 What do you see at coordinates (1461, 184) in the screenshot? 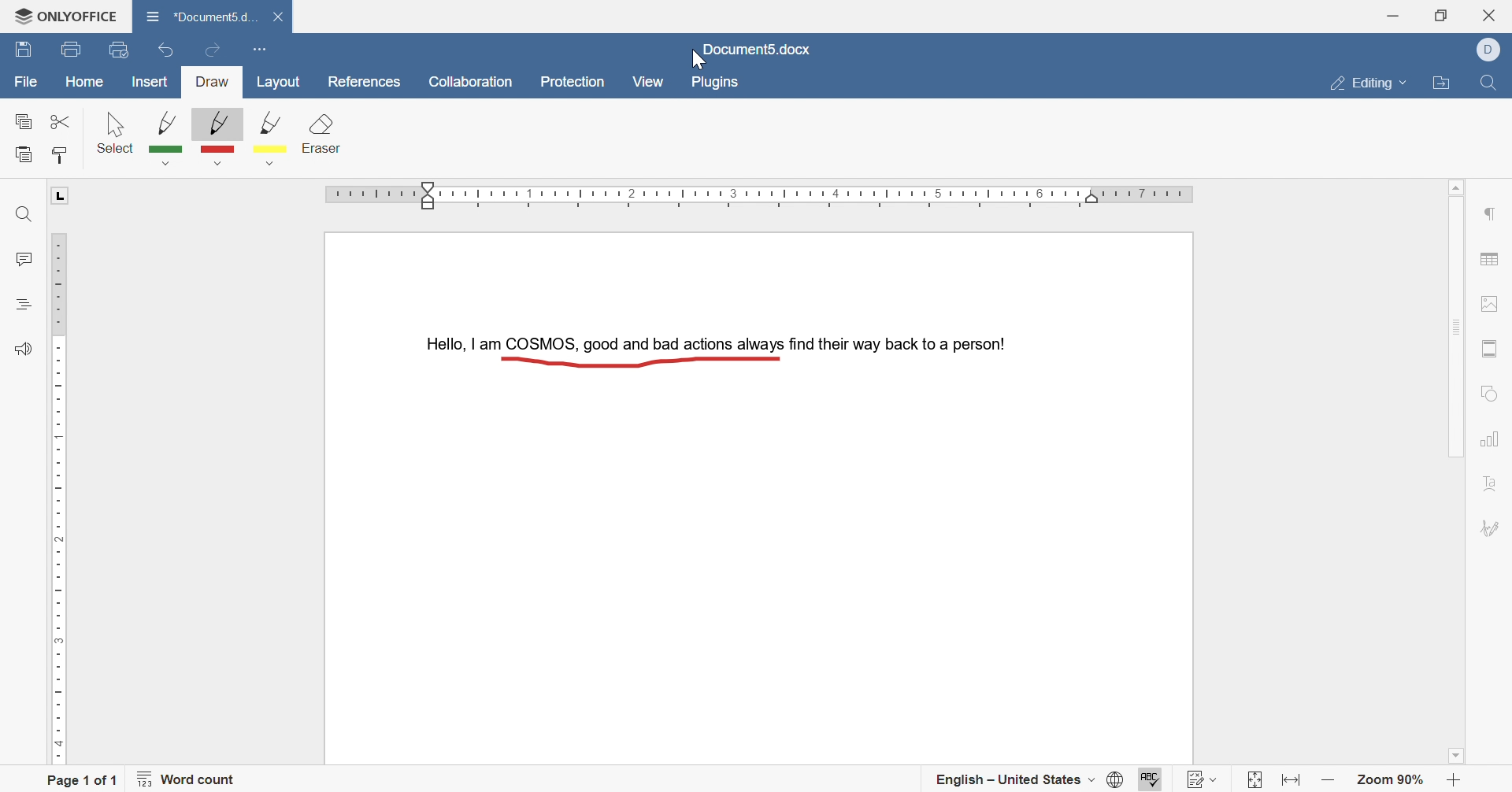
I see `scroll up` at bounding box center [1461, 184].